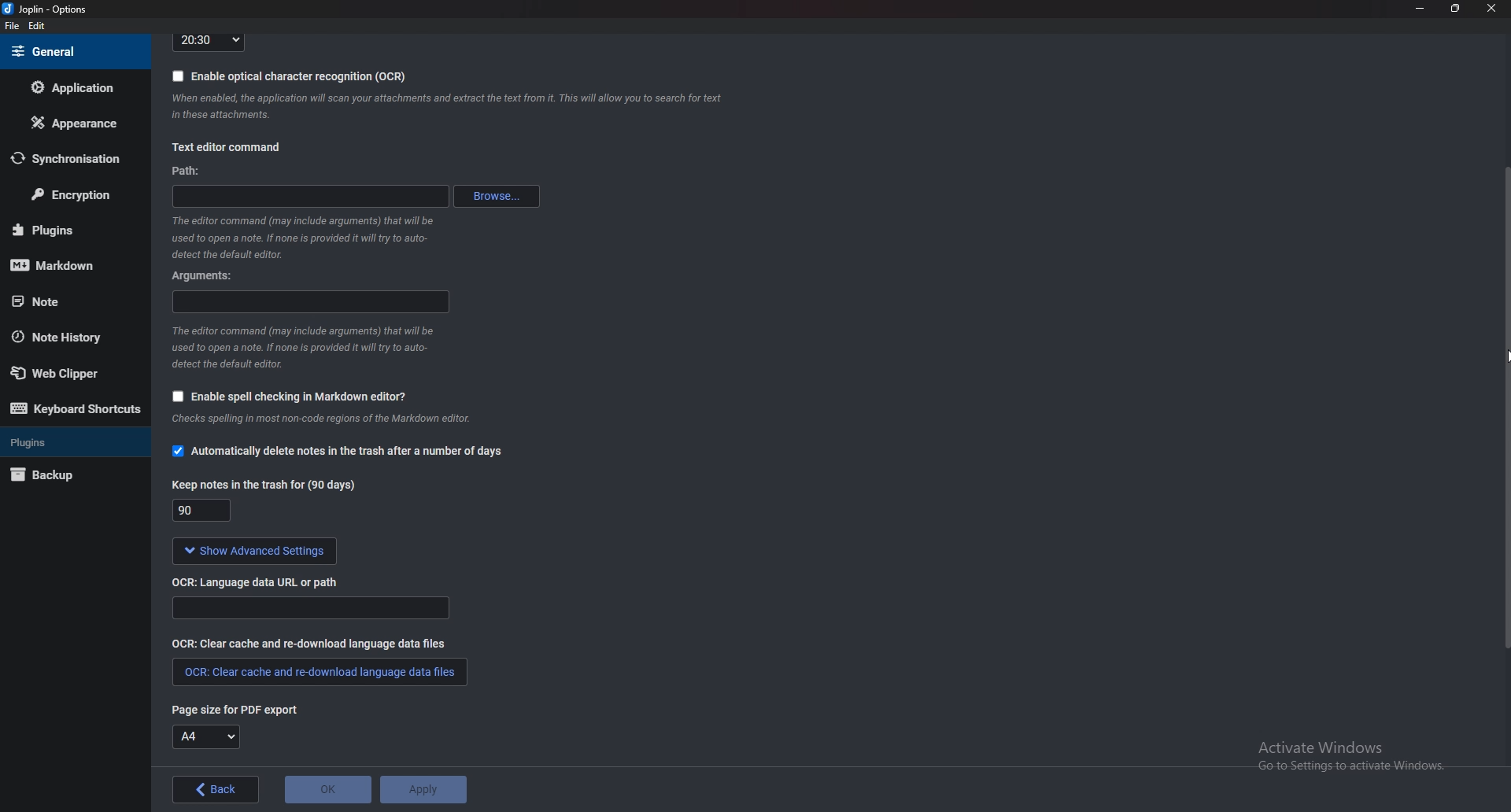 The width and height of the screenshot is (1511, 812). Describe the element at coordinates (448, 106) in the screenshot. I see `info on ocr` at that location.